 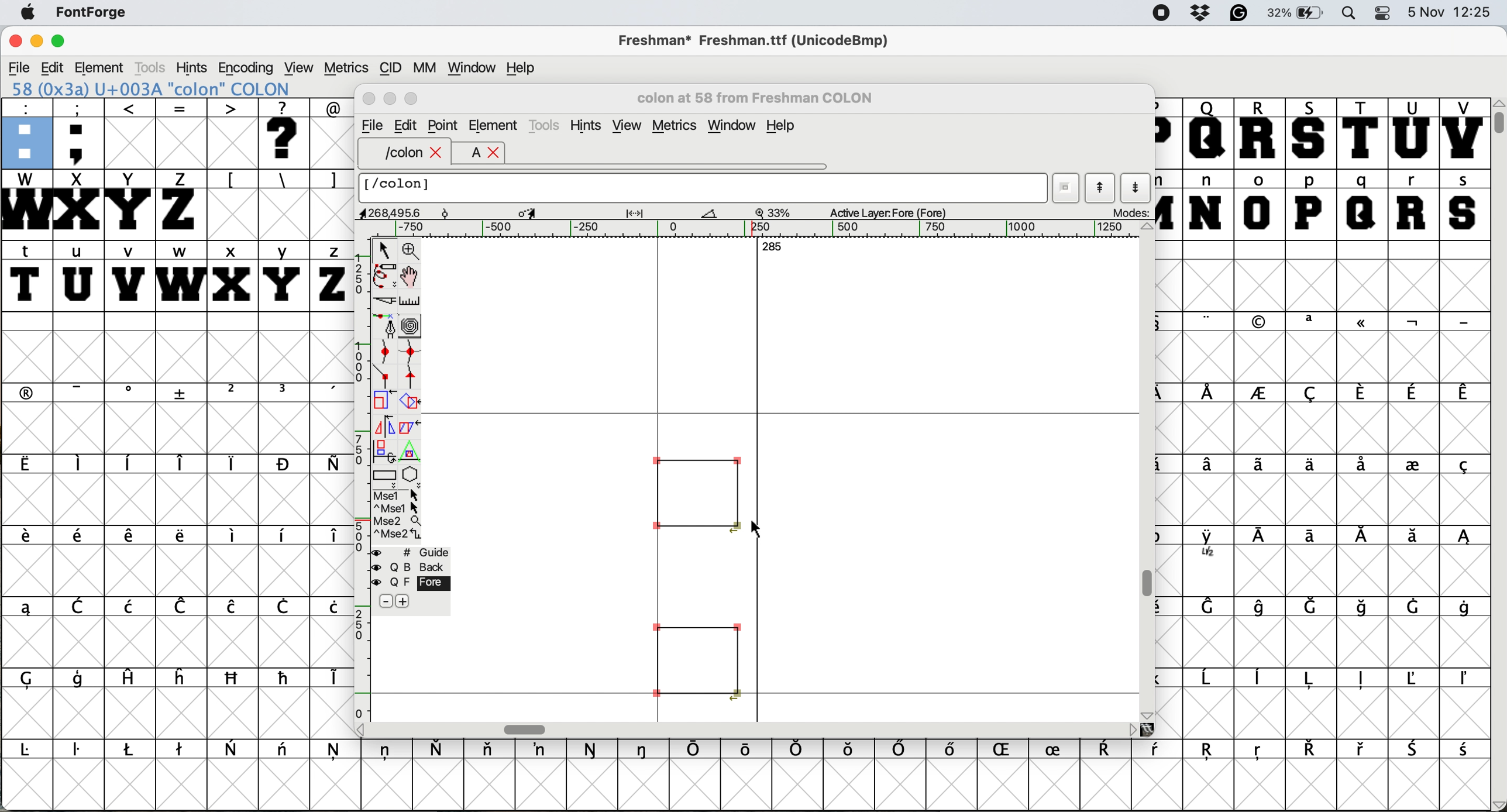 What do you see at coordinates (411, 248) in the screenshot?
I see `zoom in` at bounding box center [411, 248].